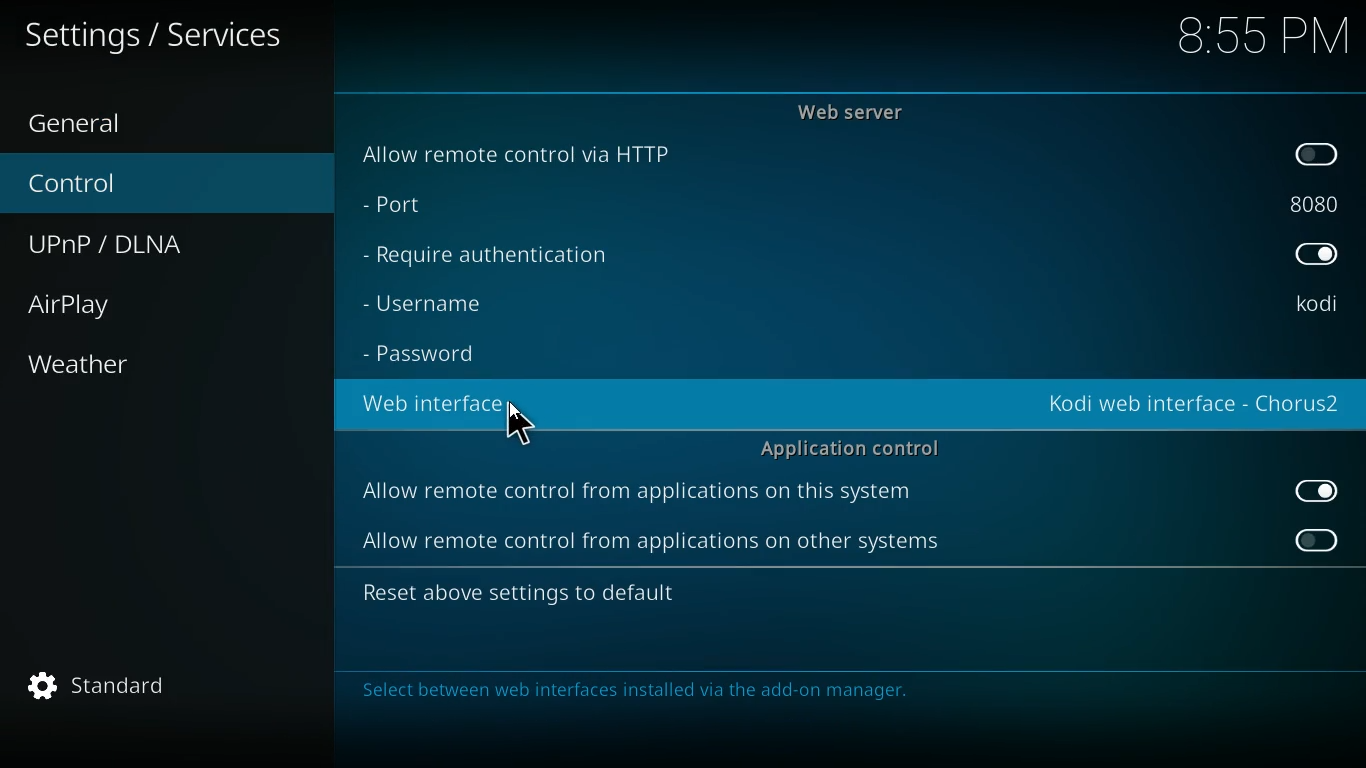 This screenshot has width=1366, height=768. I want to click on allow remote control, so click(639, 494).